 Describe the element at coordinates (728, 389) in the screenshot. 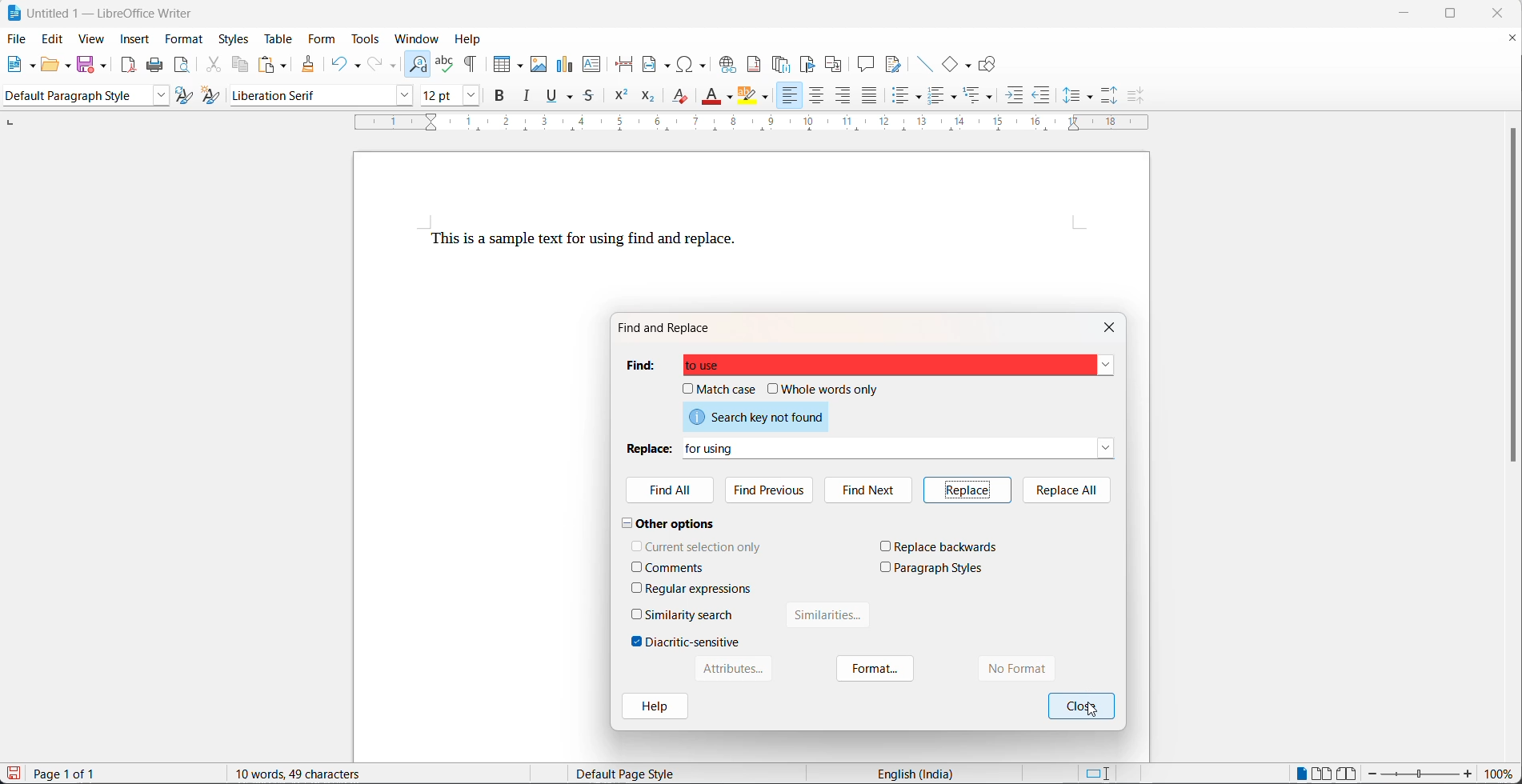

I see `match case` at that location.